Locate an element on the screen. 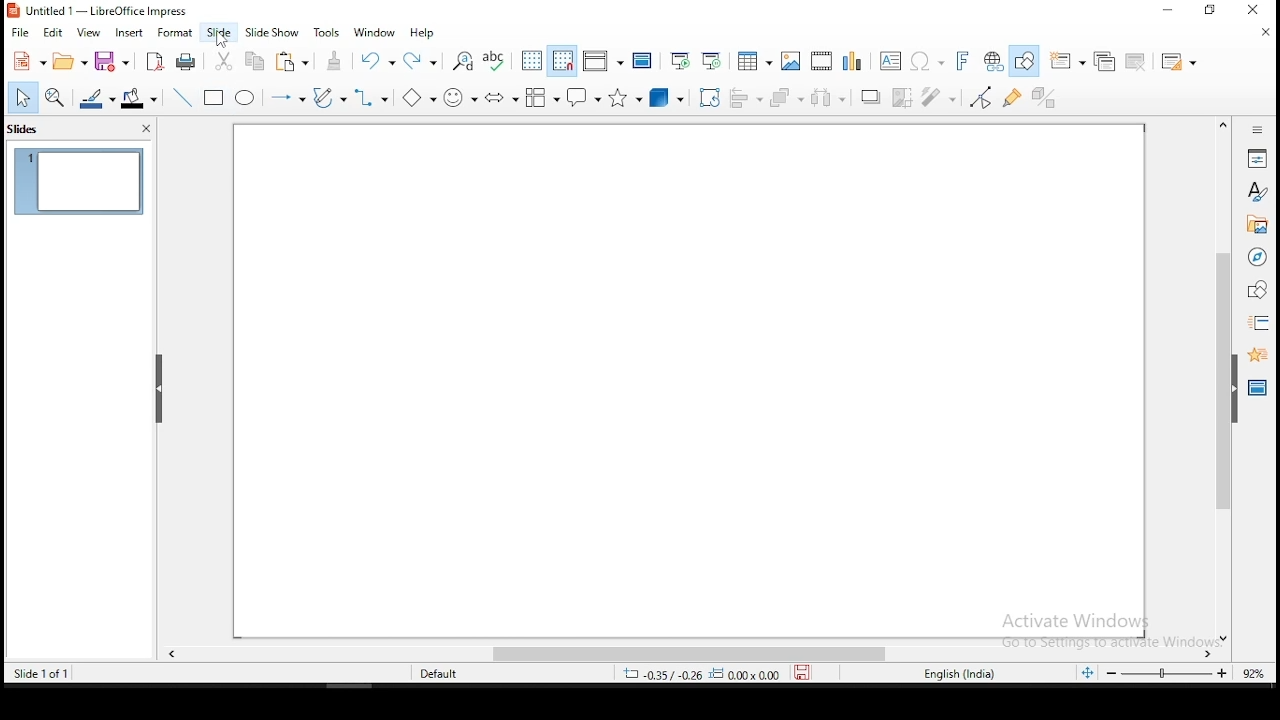  window is located at coordinates (375, 32).